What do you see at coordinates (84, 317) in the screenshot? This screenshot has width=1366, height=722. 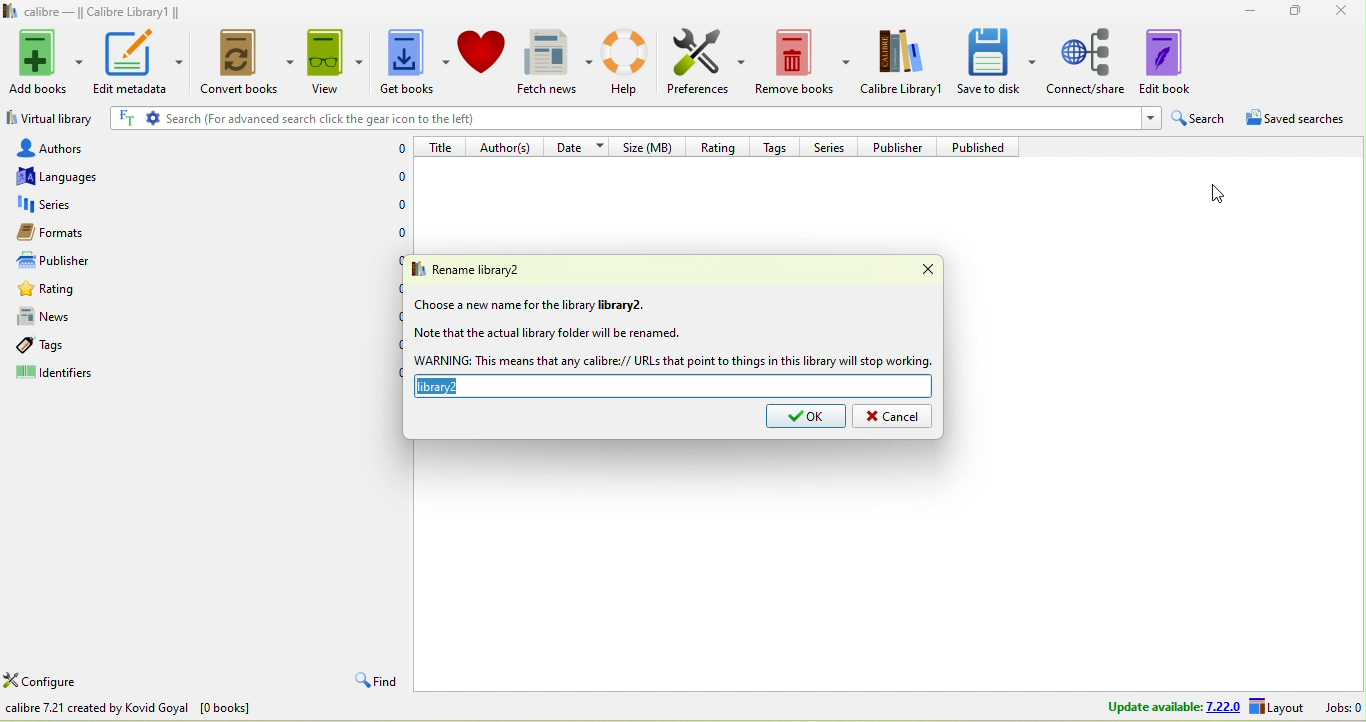 I see `news` at bounding box center [84, 317].